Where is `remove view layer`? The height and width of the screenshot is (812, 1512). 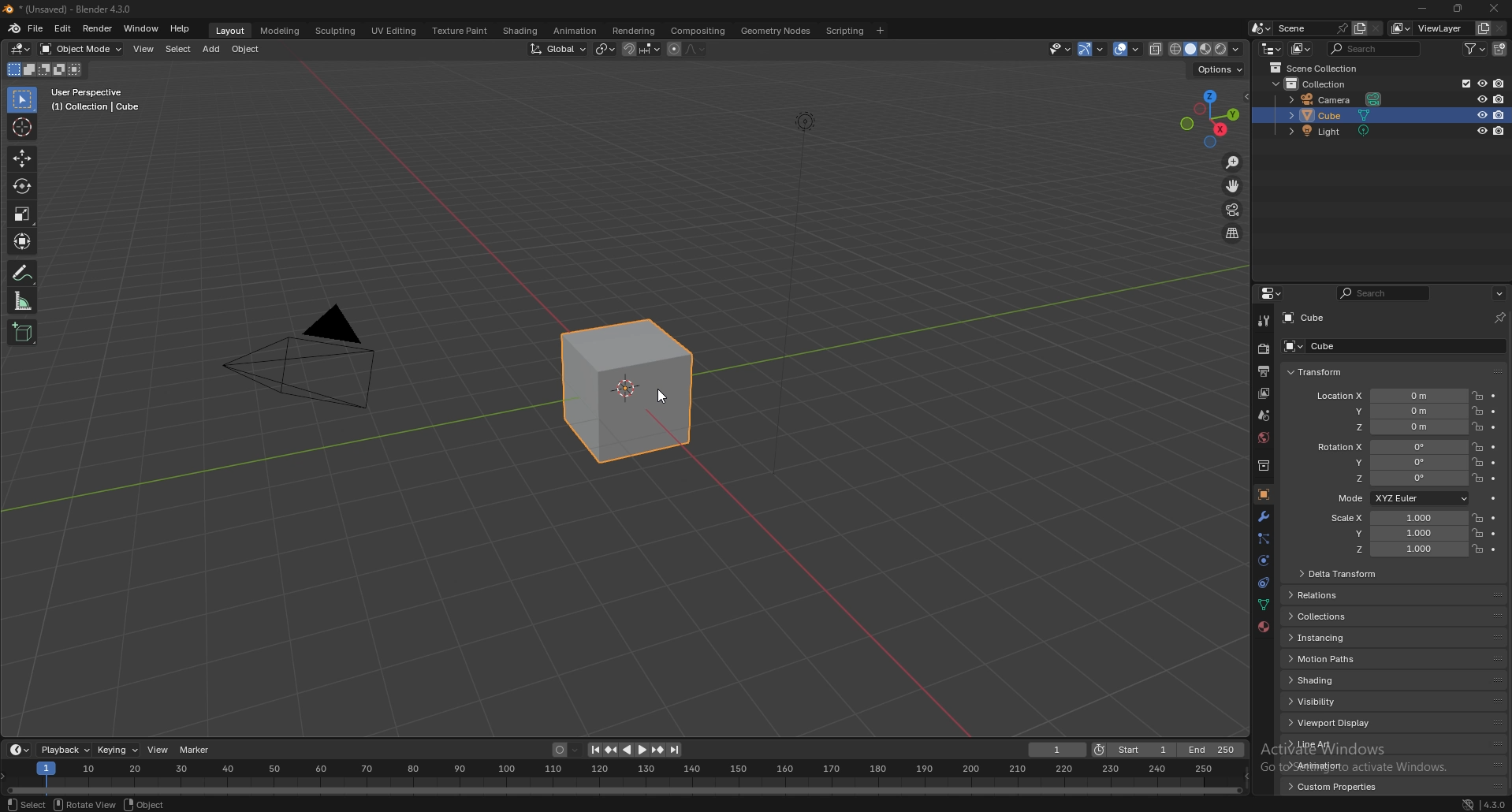 remove view layer is located at coordinates (1501, 28).